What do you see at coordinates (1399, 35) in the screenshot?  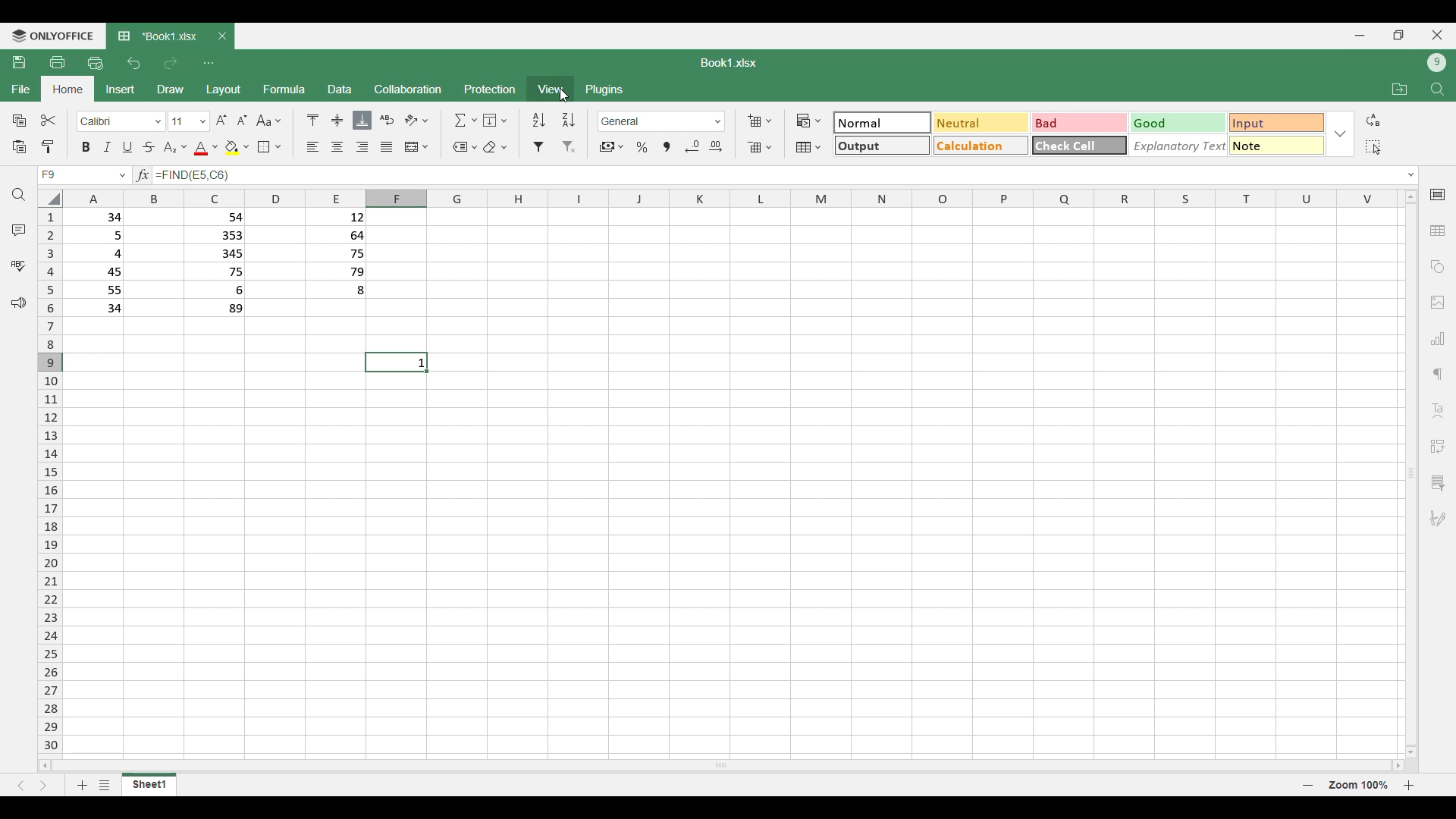 I see `Show in smaller tab` at bounding box center [1399, 35].